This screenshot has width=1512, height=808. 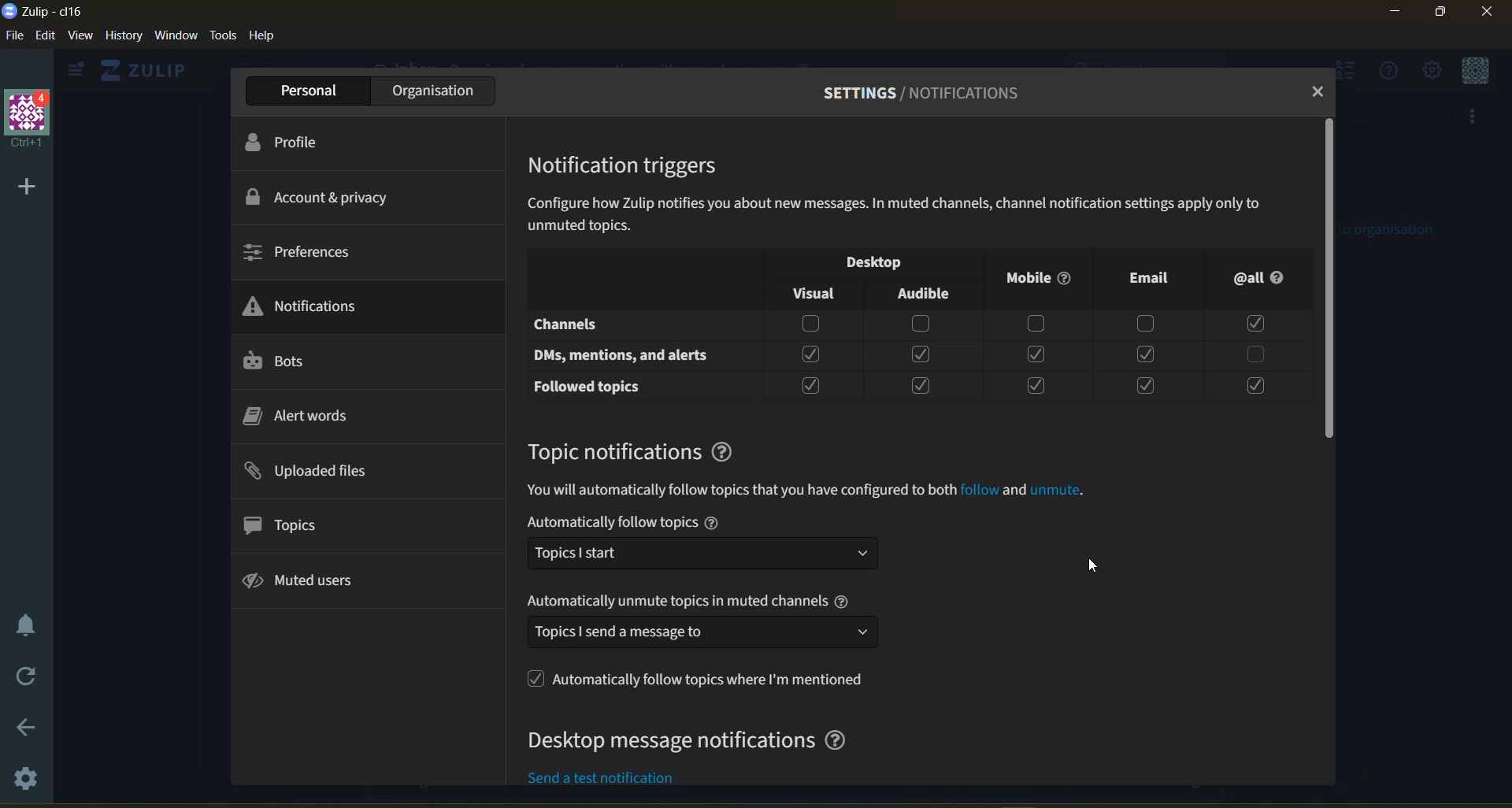 What do you see at coordinates (28, 677) in the screenshot?
I see `reload` at bounding box center [28, 677].